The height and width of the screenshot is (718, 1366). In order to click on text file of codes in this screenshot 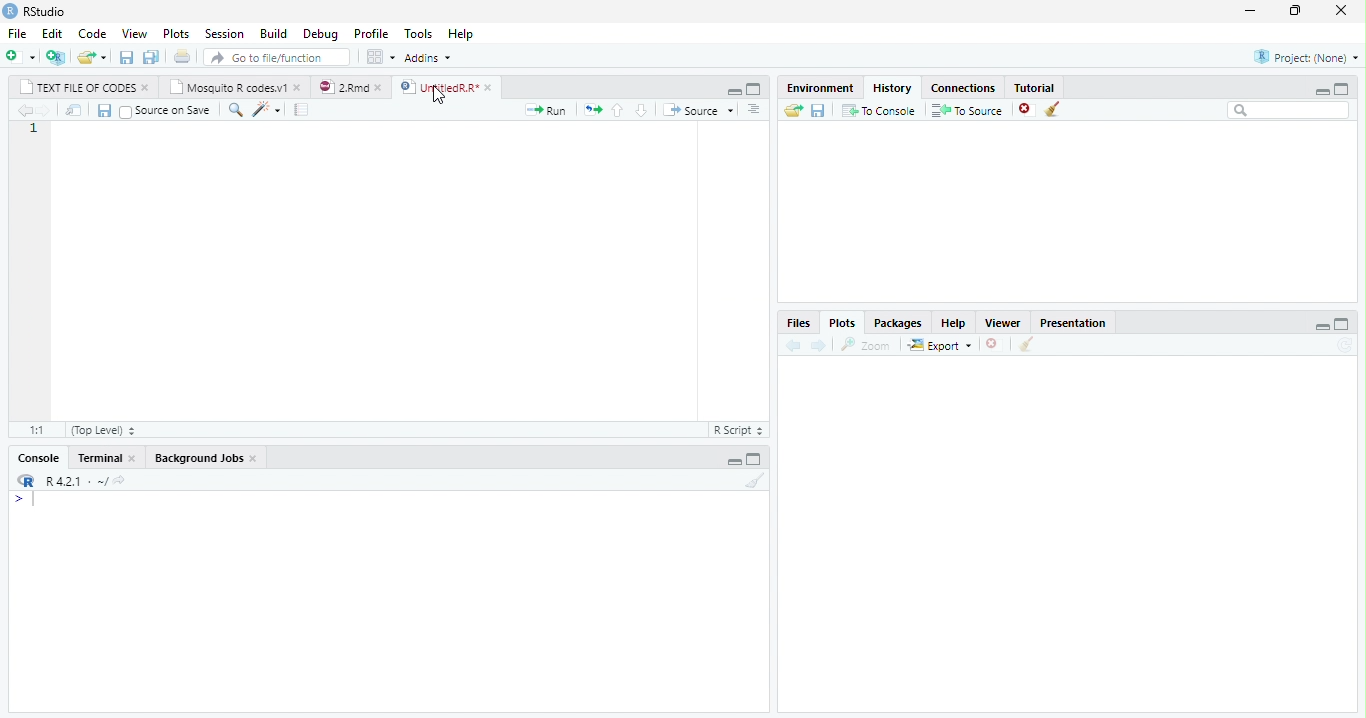, I will do `click(78, 88)`.